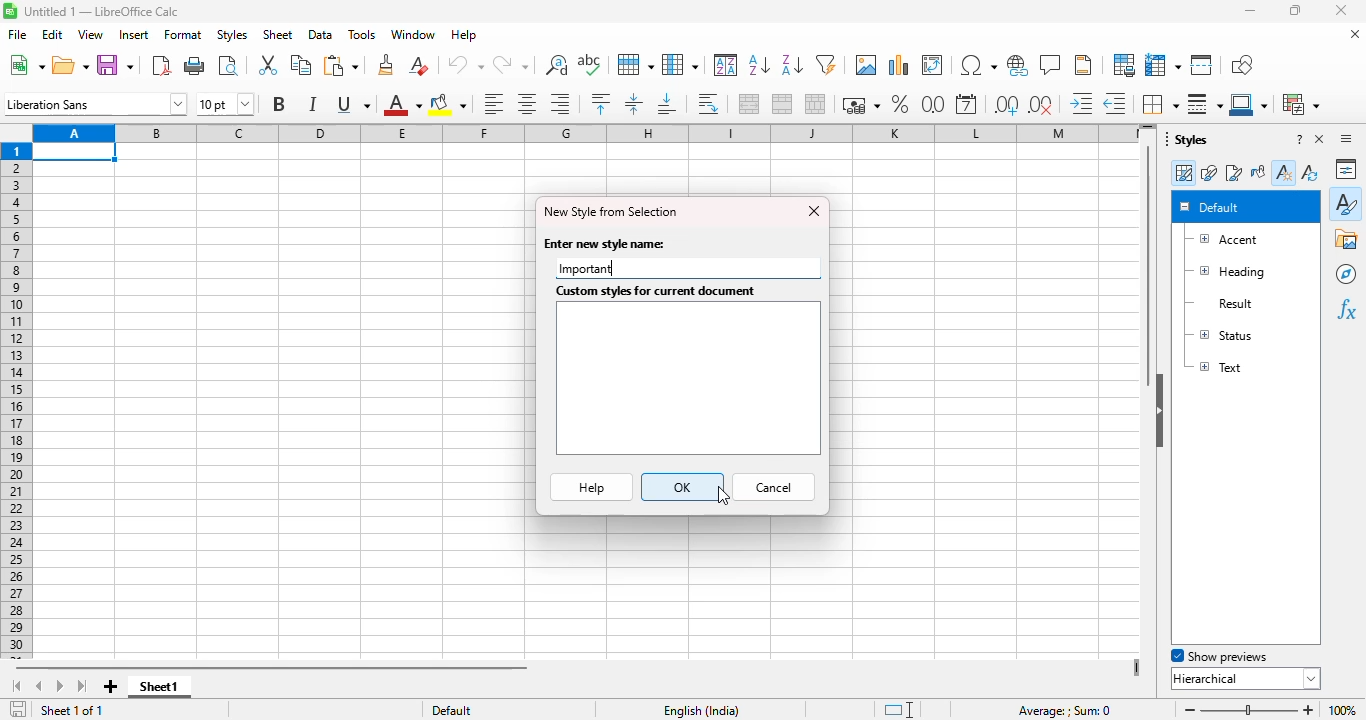  What do you see at coordinates (1083, 65) in the screenshot?
I see `headers and footers` at bounding box center [1083, 65].